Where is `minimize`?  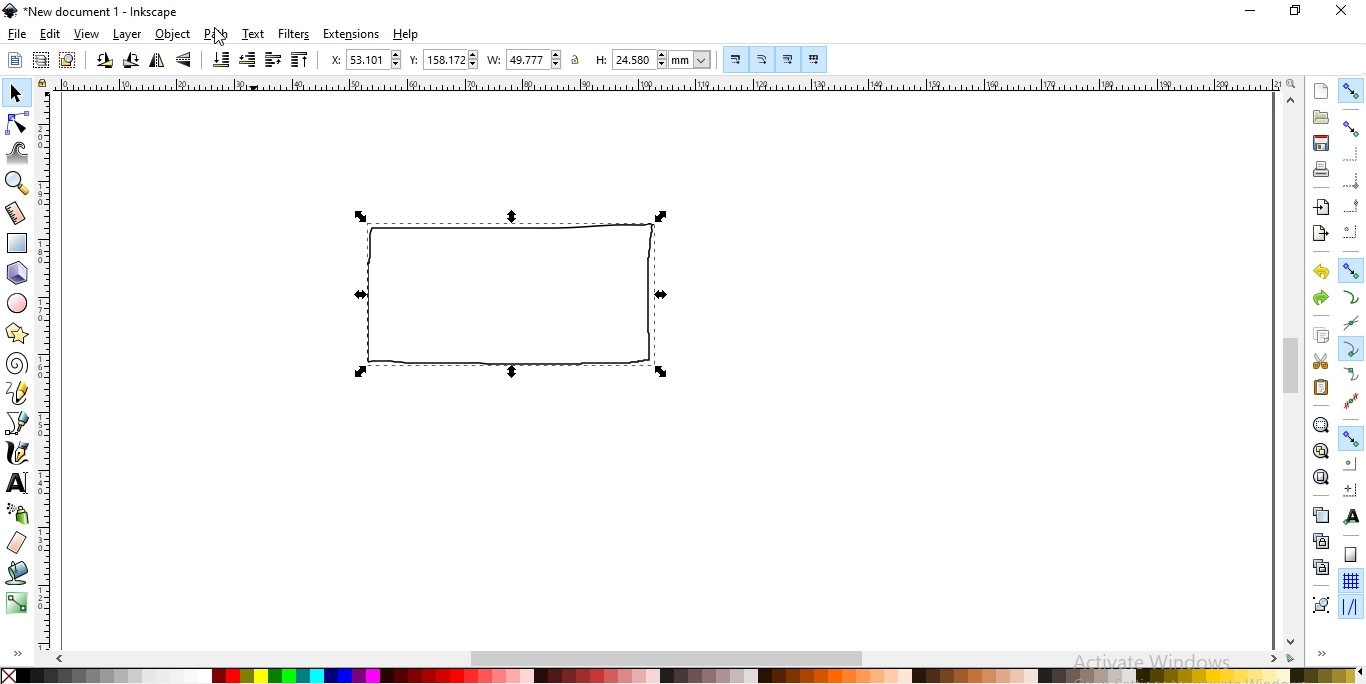
minimize is located at coordinates (1251, 12).